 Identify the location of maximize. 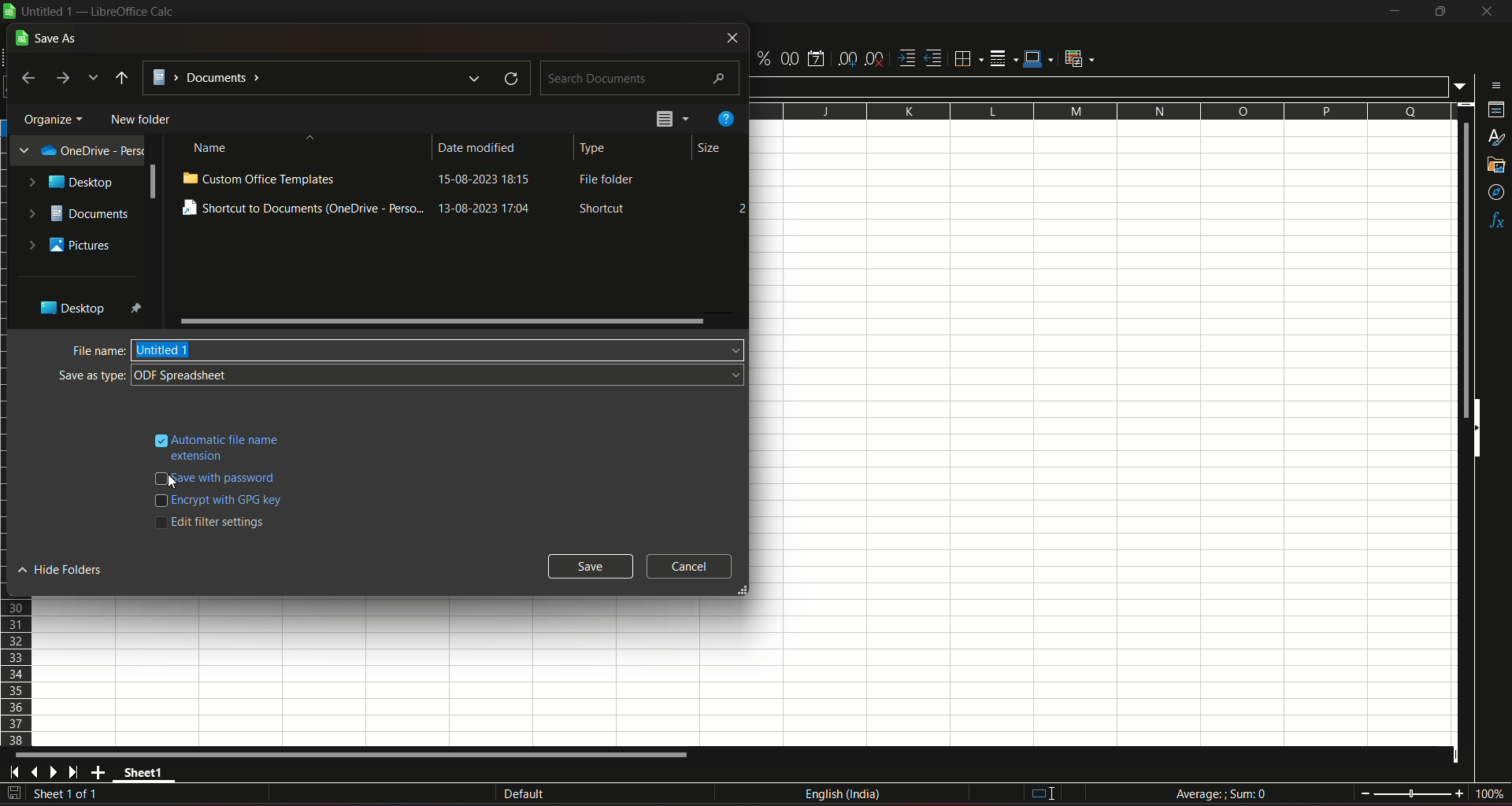
(1440, 12).